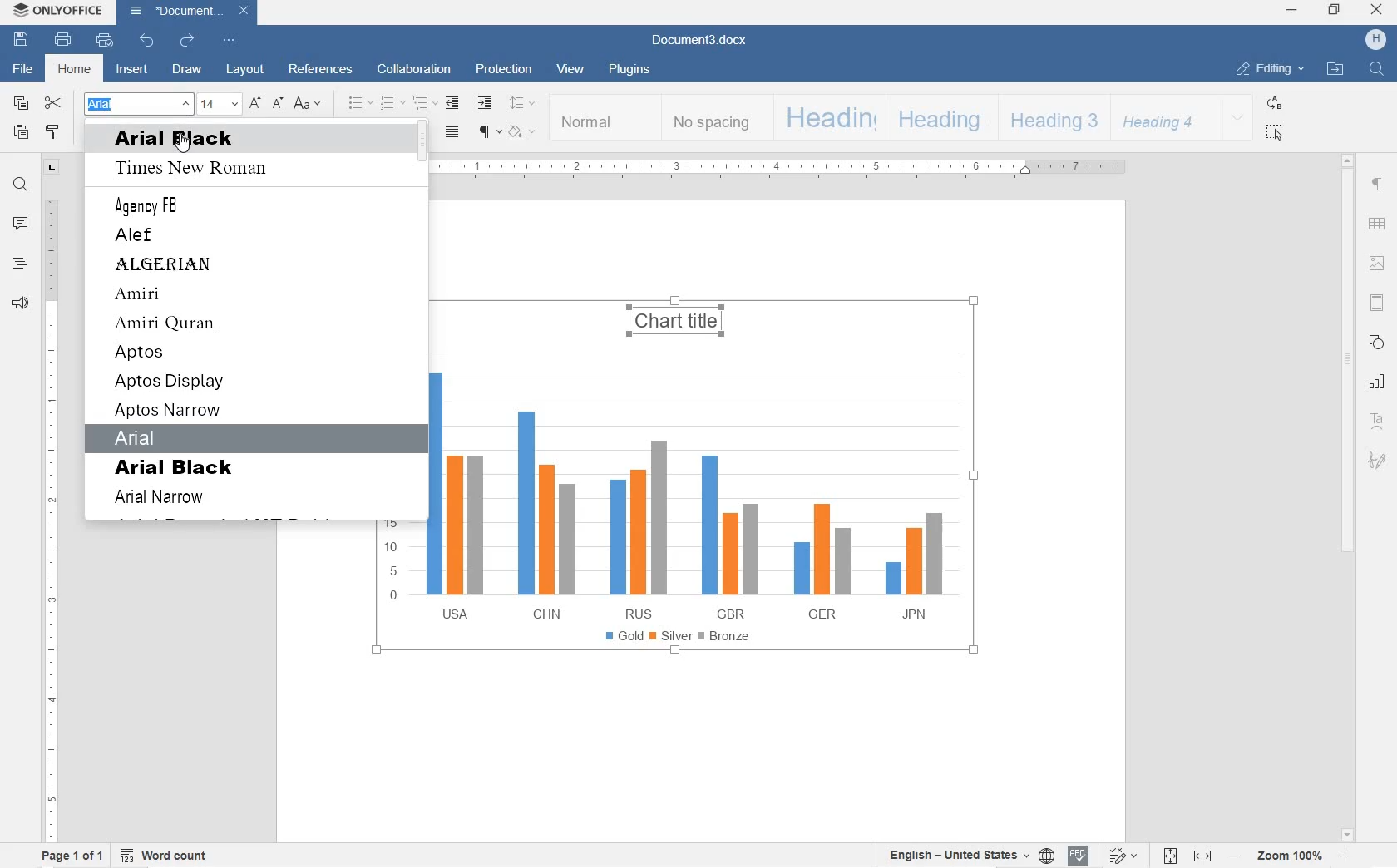  I want to click on AMIRI QURAN, so click(169, 324).